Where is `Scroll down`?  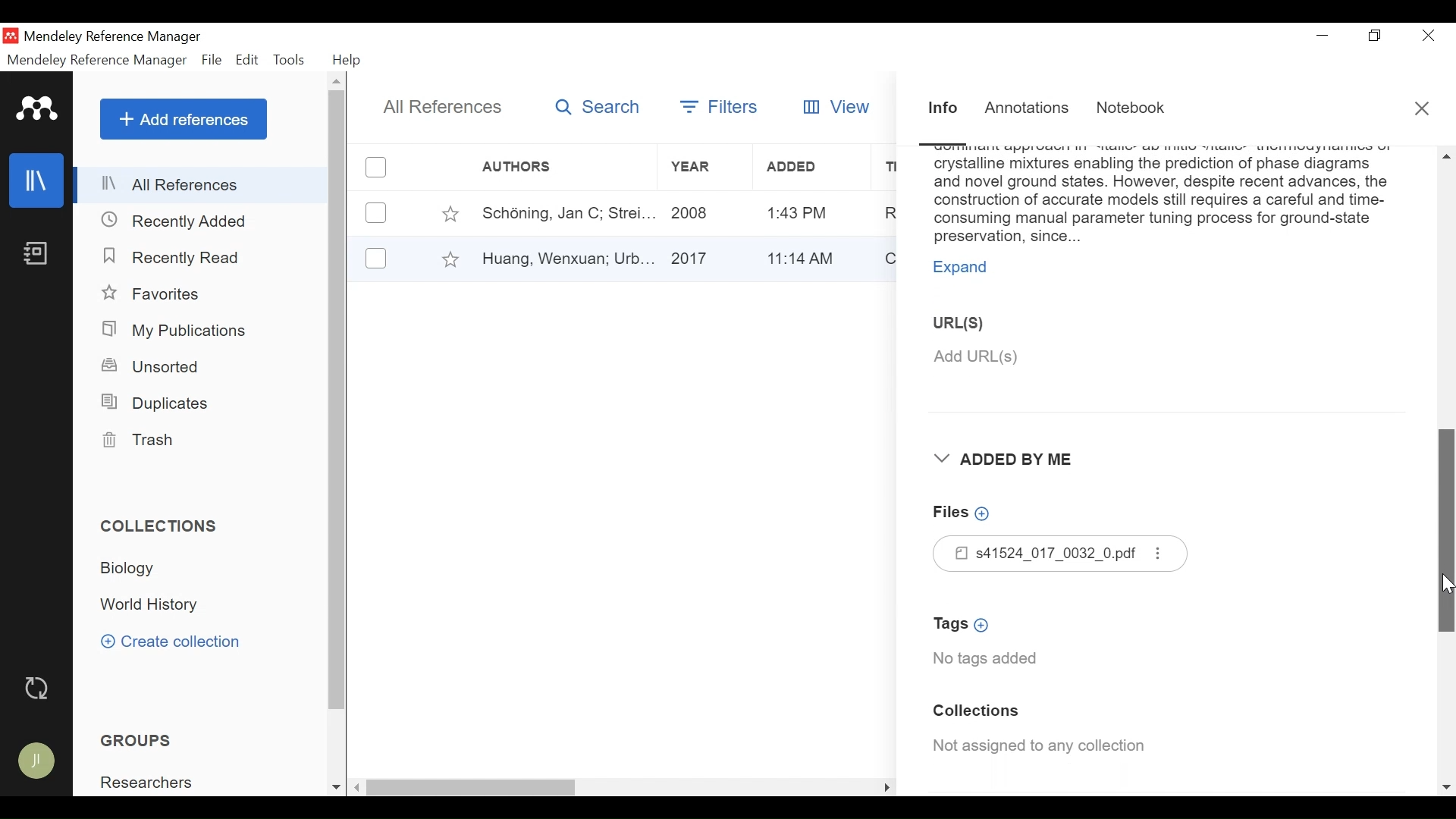 Scroll down is located at coordinates (336, 789).